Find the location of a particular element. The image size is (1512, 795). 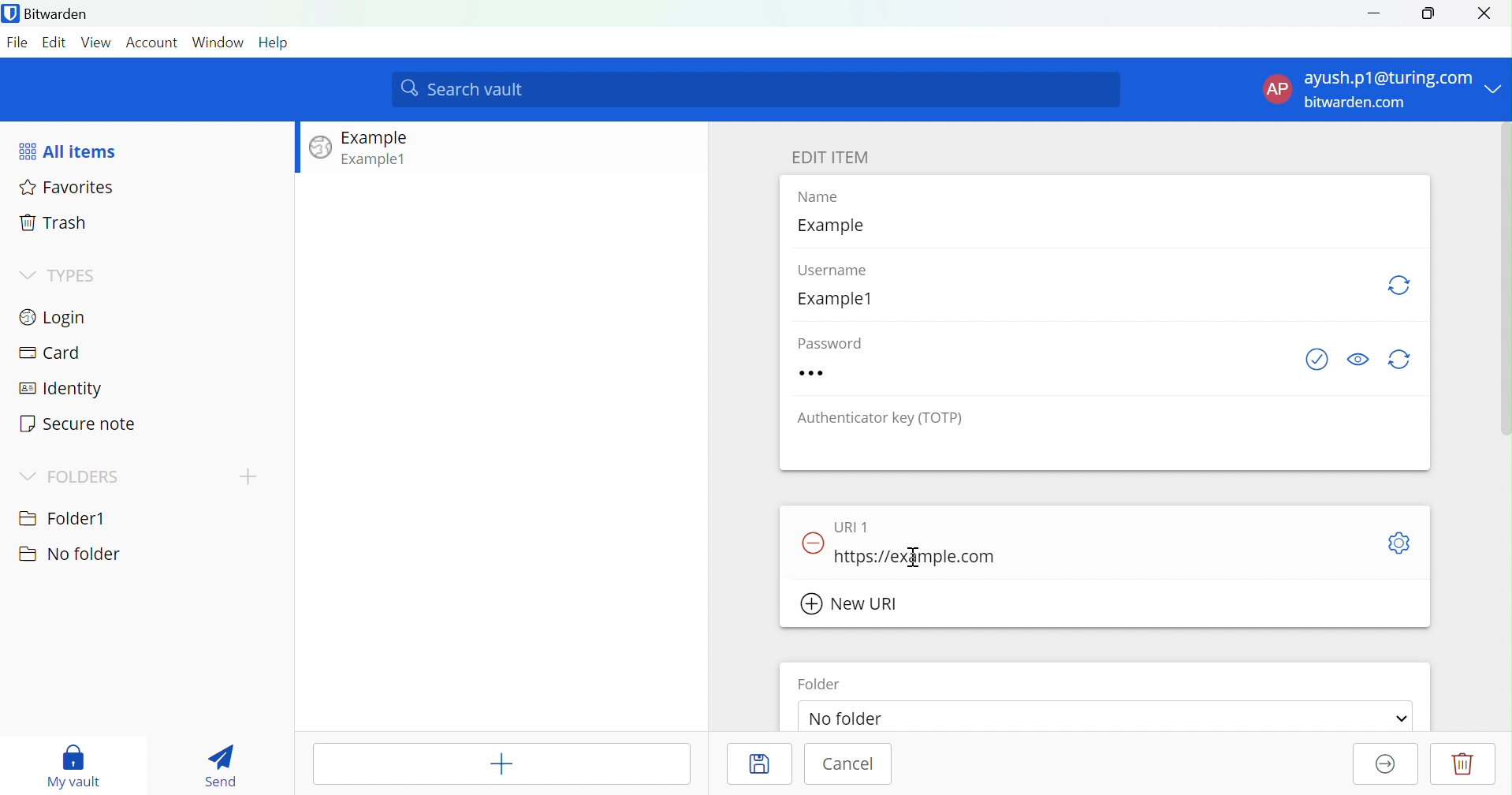

Save is located at coordinates (757, 762).